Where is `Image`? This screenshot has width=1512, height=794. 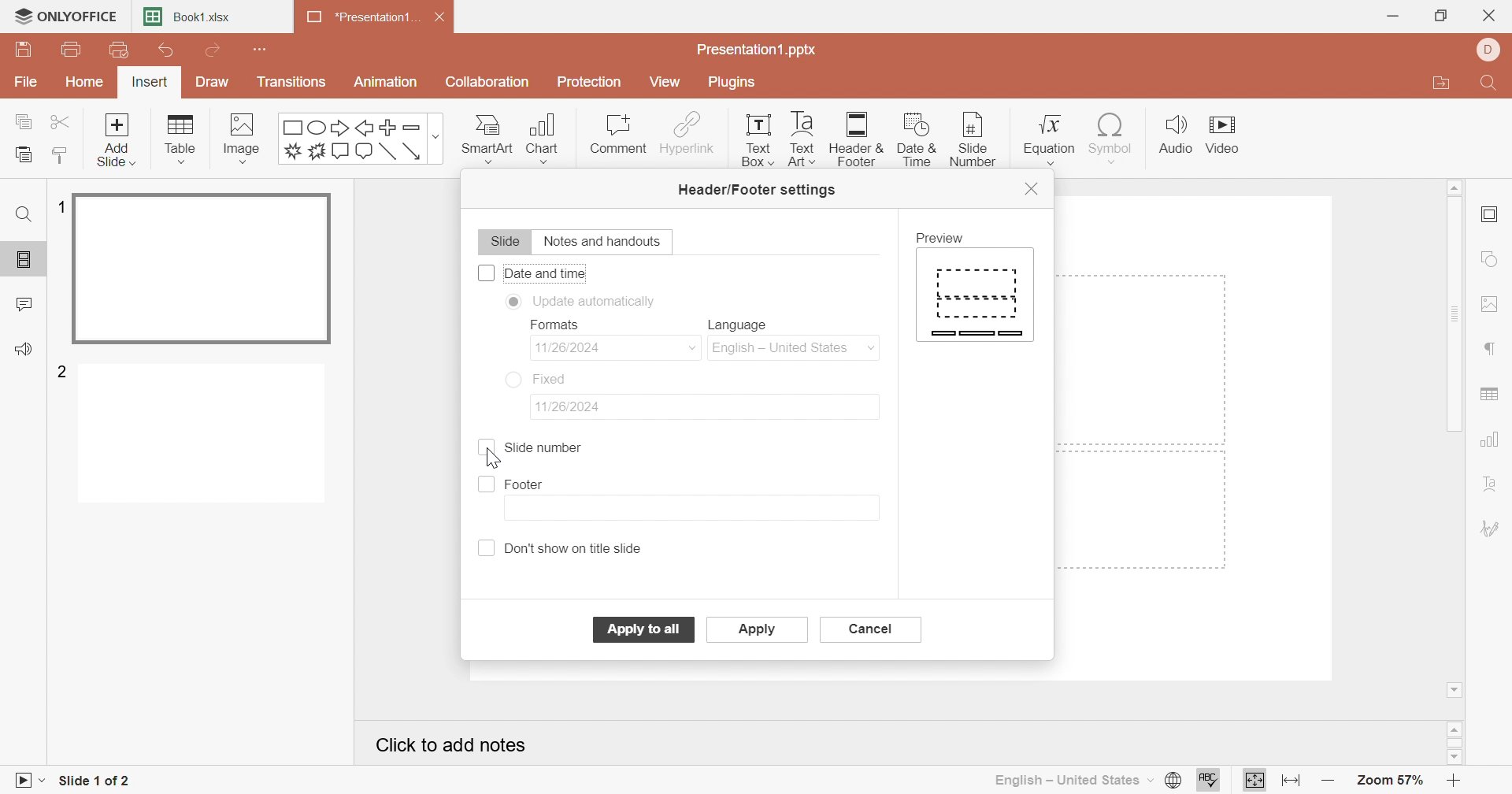
Image is located at coordinates (247, 139).